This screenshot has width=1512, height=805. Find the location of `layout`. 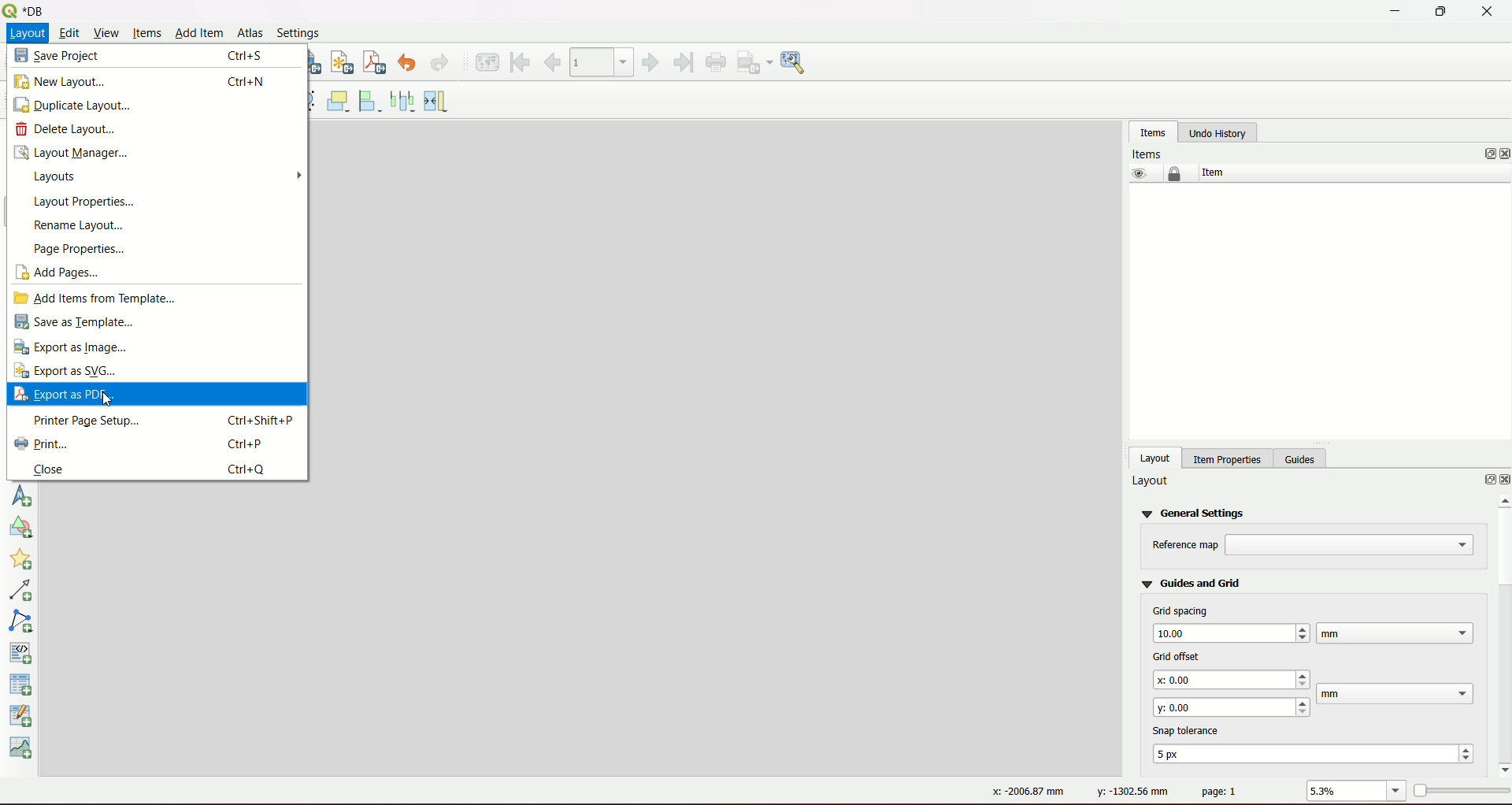

layout is located at coordinates (1156, 457).